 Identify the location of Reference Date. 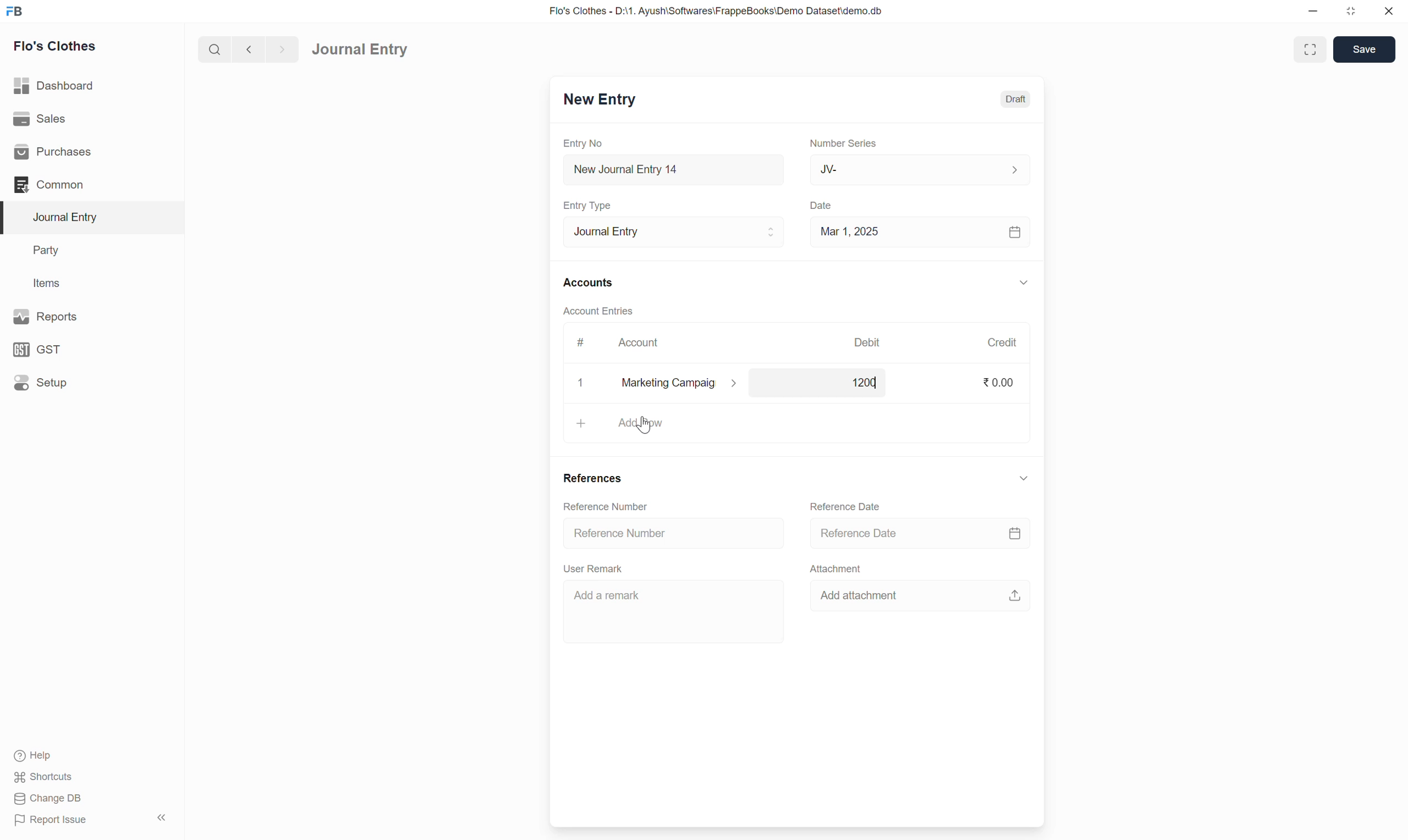
(862, 532).